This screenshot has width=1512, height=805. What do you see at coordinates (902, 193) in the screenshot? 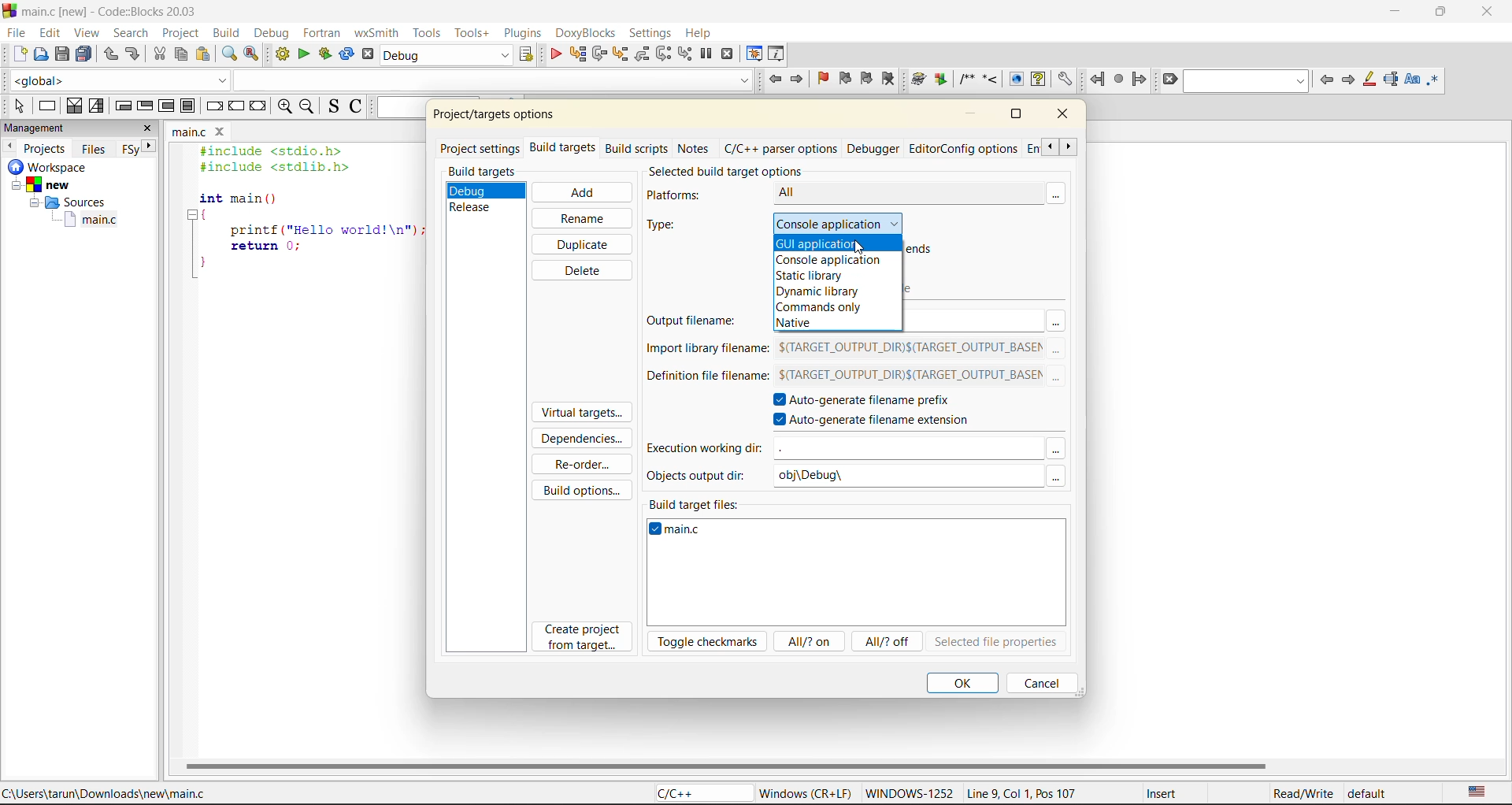
I see `All` at bounding box center [902, 193].